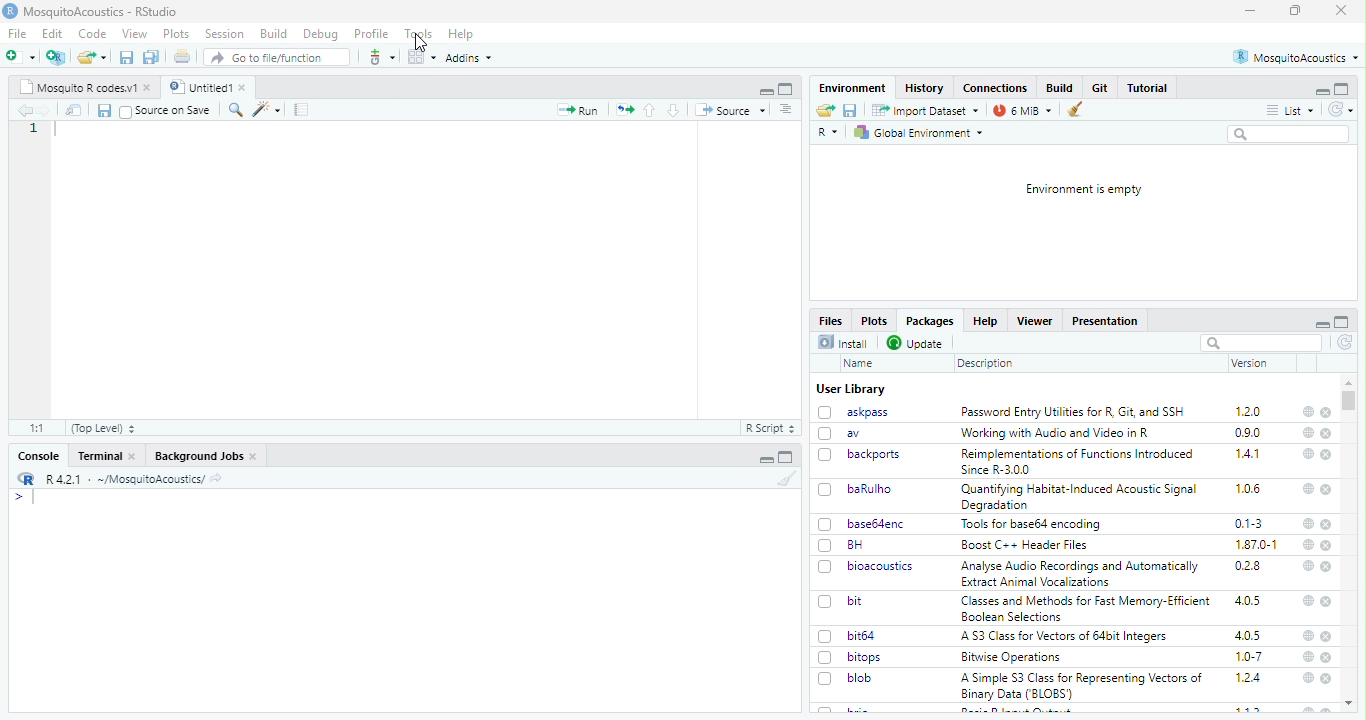 The height and width of the screenshot is (720, 1366). What do you see at coordinates (39, 428) in the screenshot?
I see `1:1` at bounding box center [39, 428].